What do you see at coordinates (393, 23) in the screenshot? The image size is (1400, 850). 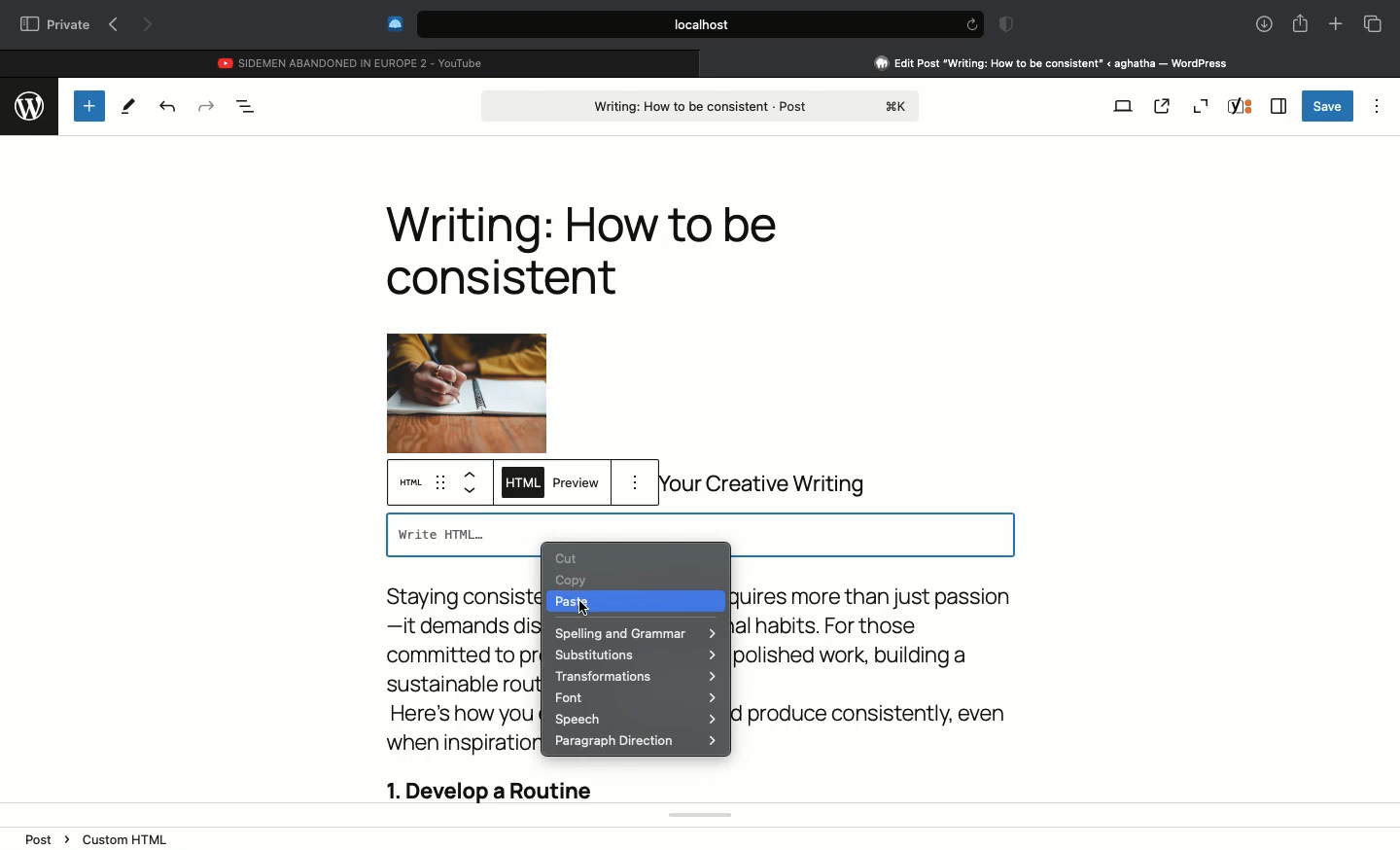 I see `Extensions` at bounding box center [393, 23].